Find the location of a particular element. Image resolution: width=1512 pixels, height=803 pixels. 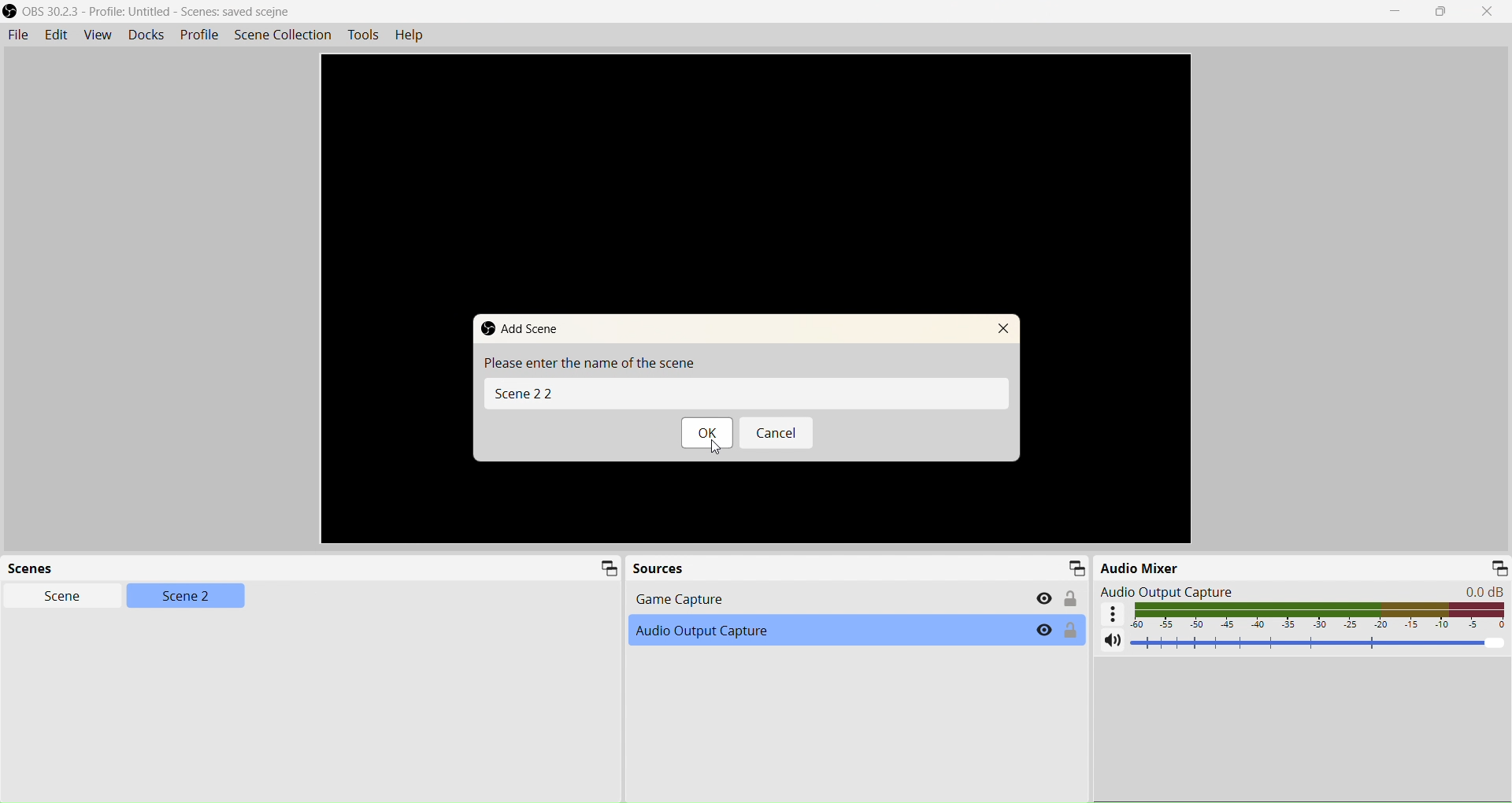

Scene is located at coordinates (36, 568).